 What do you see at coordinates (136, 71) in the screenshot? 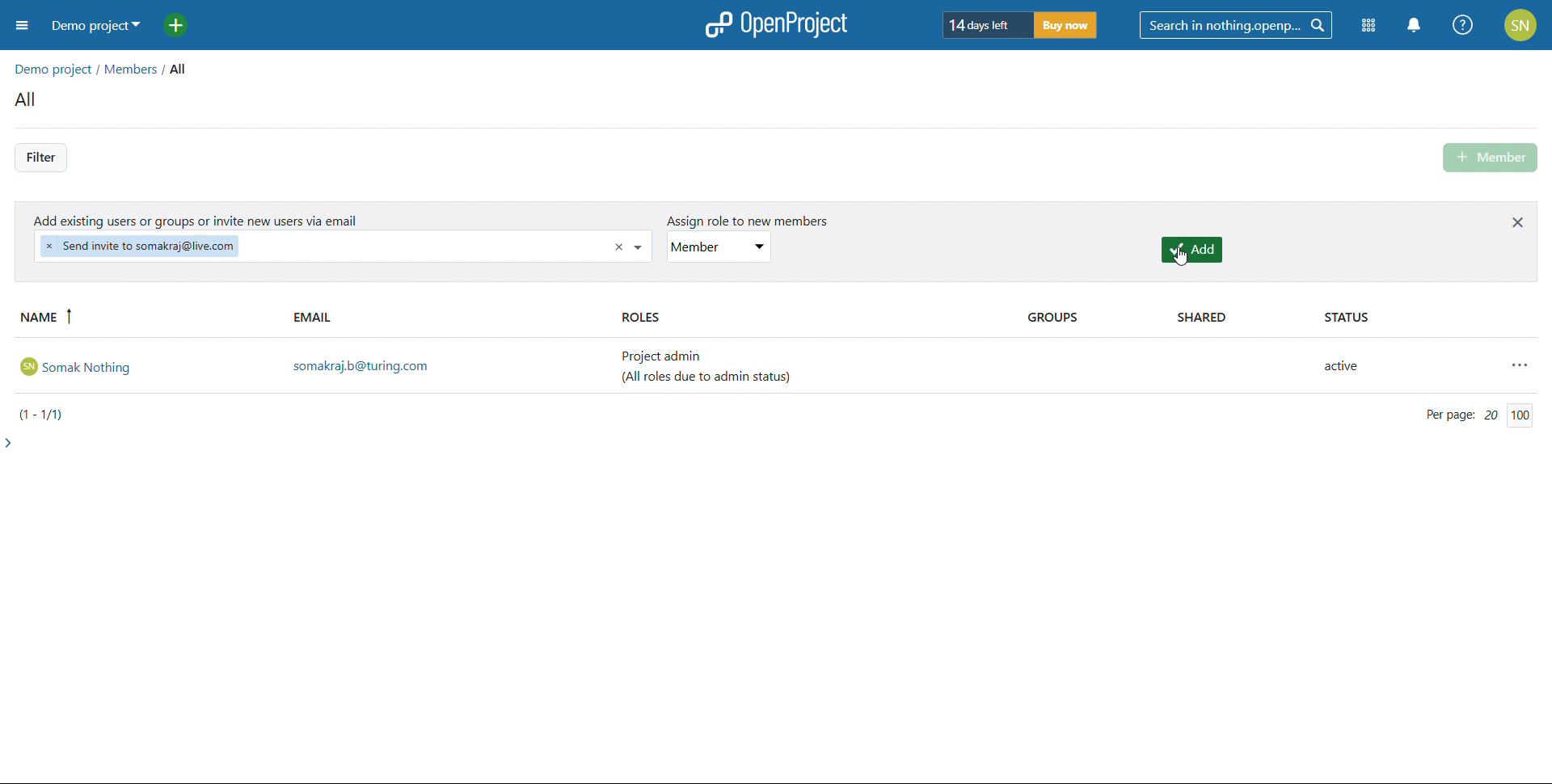
I see `members/` at bounding box center [136, 71].